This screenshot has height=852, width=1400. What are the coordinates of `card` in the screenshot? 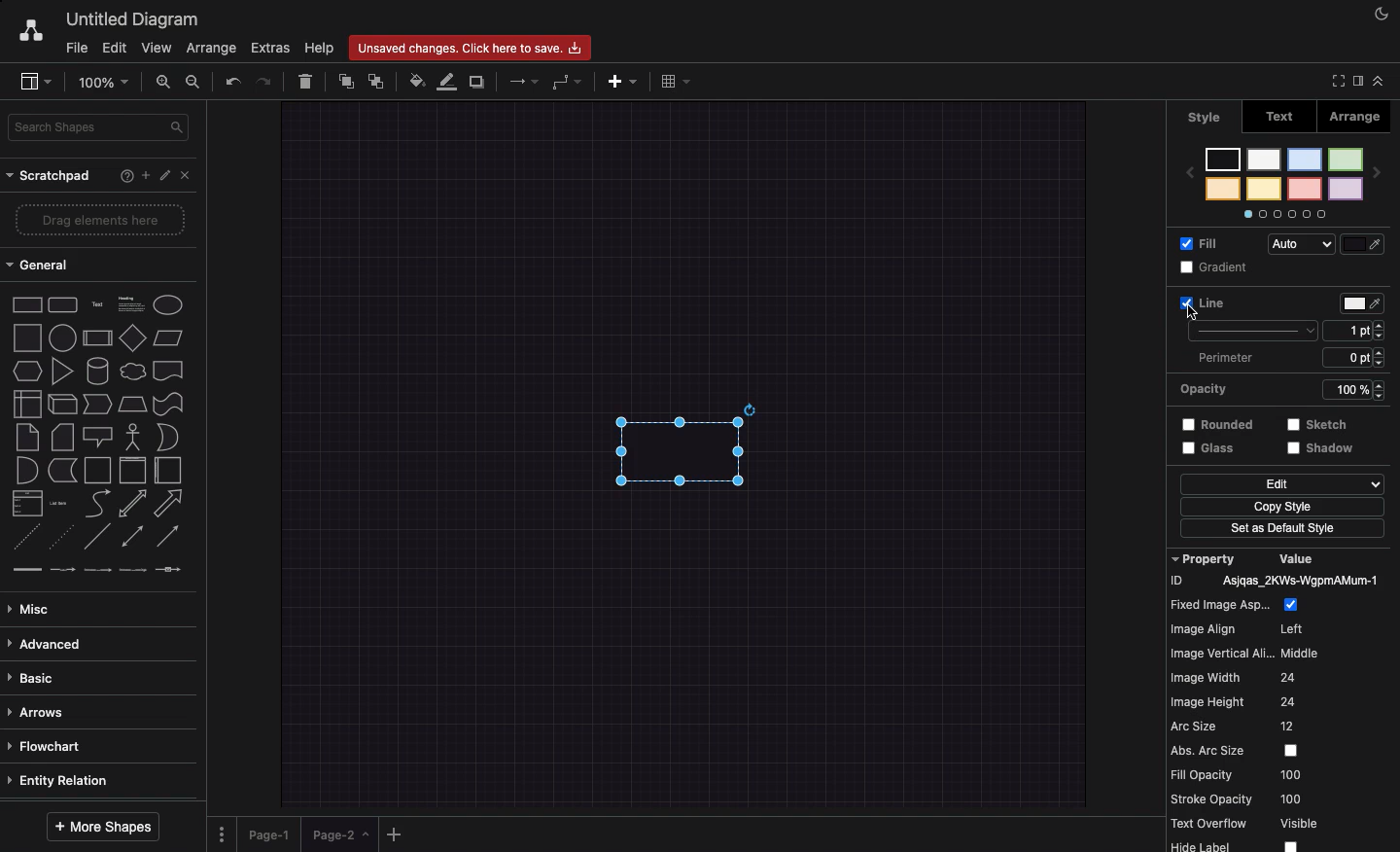 It's located at (61, 436).